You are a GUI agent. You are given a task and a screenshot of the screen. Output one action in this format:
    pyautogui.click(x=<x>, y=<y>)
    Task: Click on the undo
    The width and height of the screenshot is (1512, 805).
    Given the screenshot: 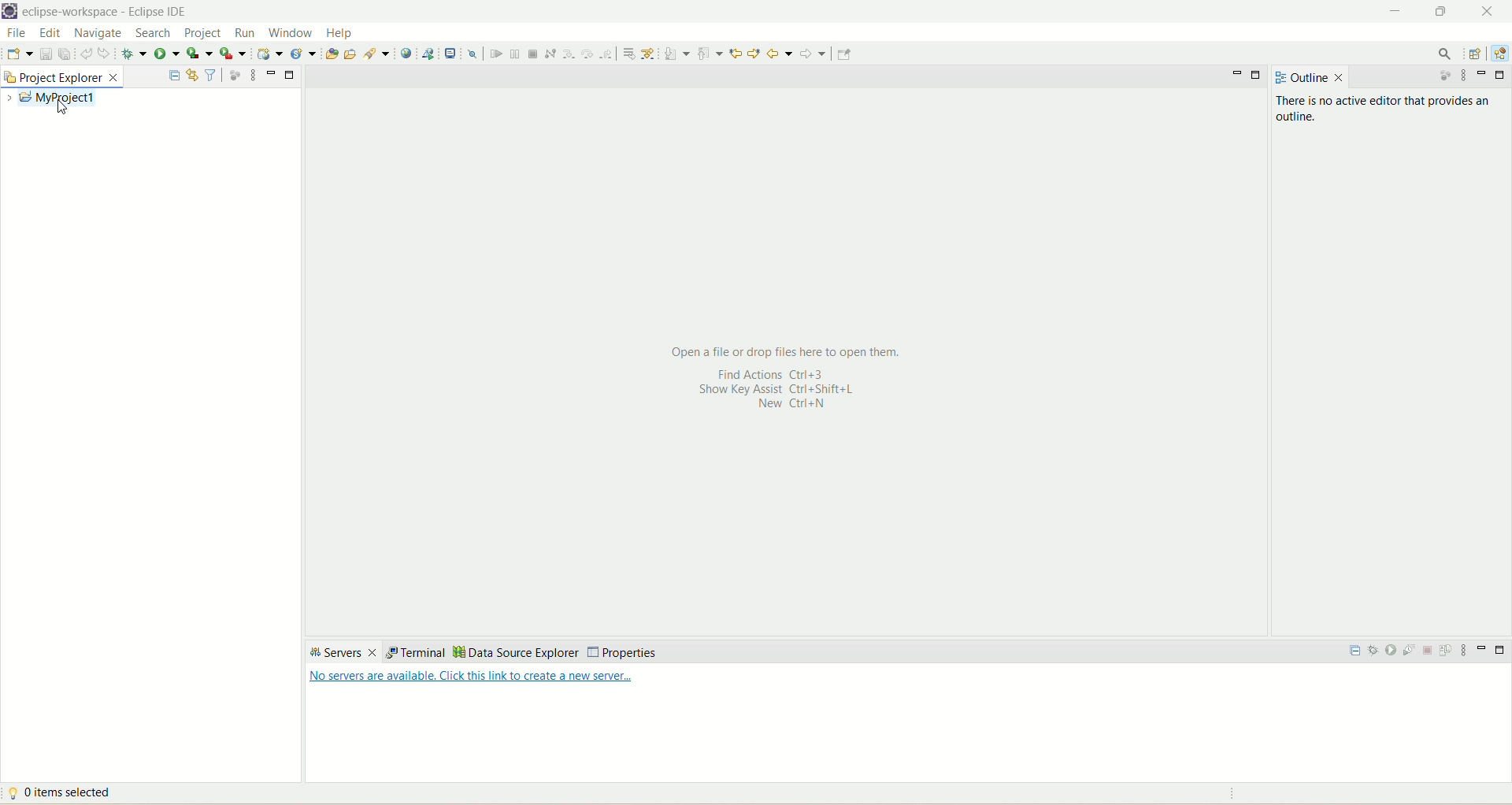 What is the action you would take?
    pyautogui.click(x=86, y=52)
    